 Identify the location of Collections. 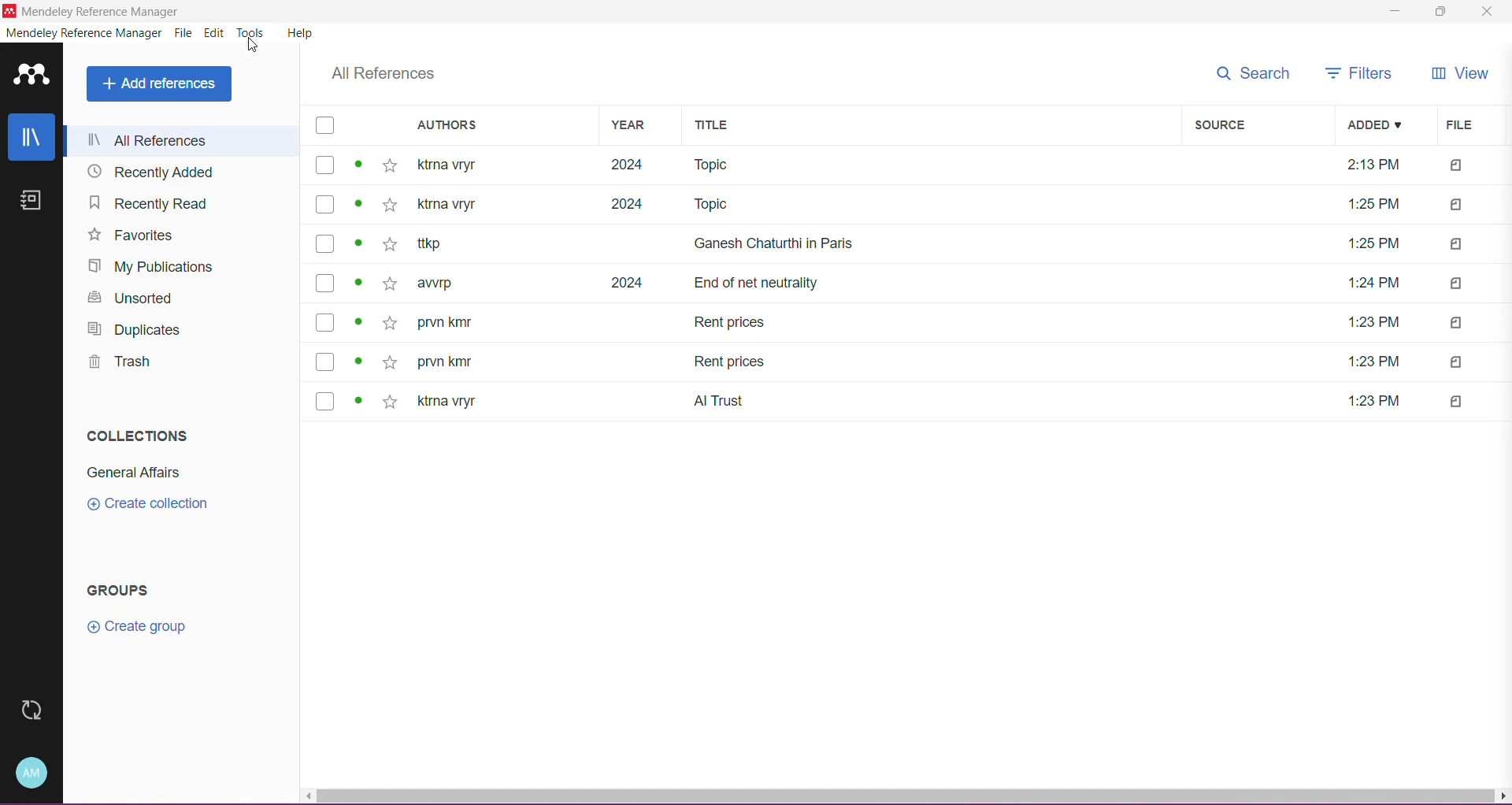
(134, 433).